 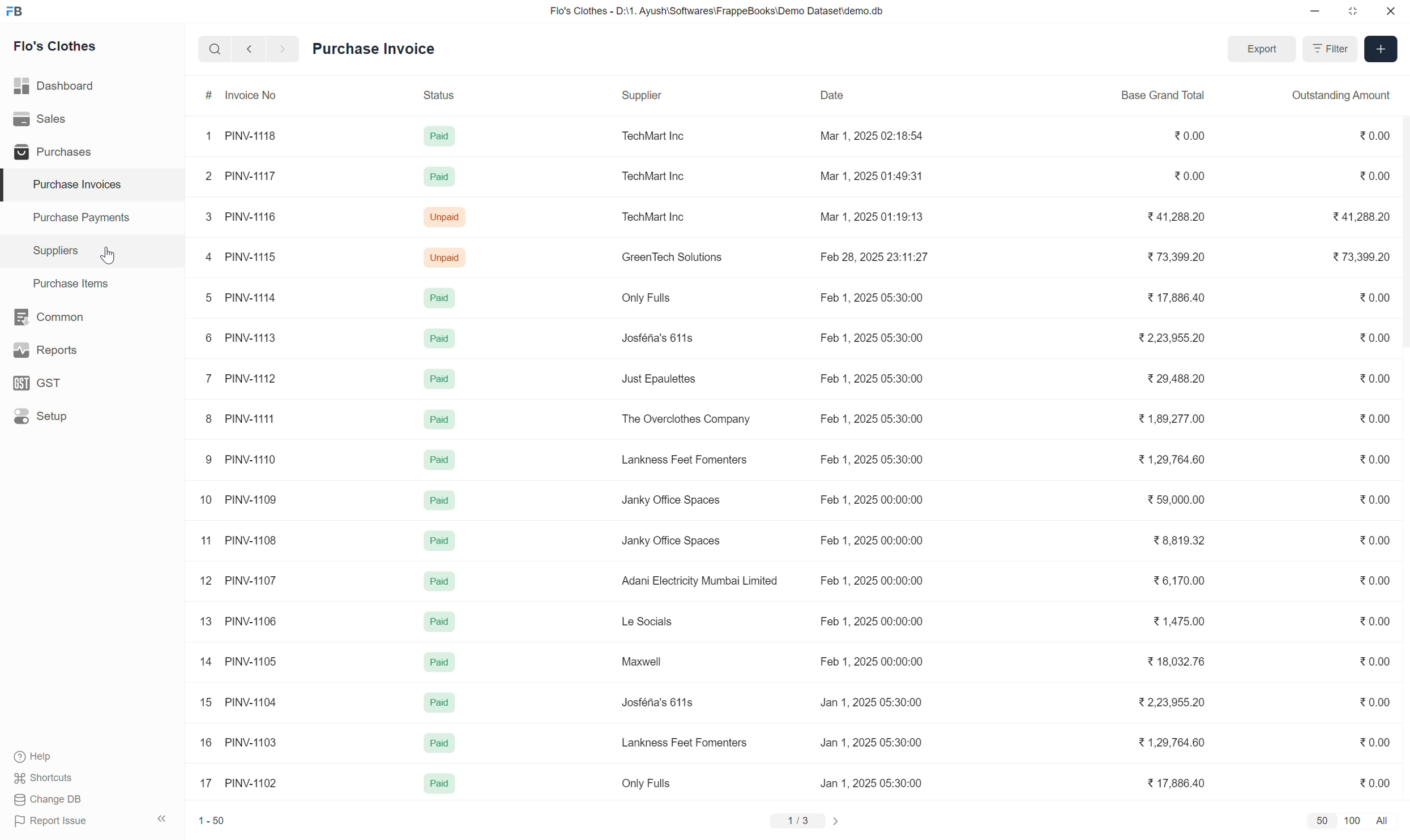 What do you see at coordinates (669, 498) in the screenshot?
I see `Janky Office Spaces` at bounding box center [669, 498].